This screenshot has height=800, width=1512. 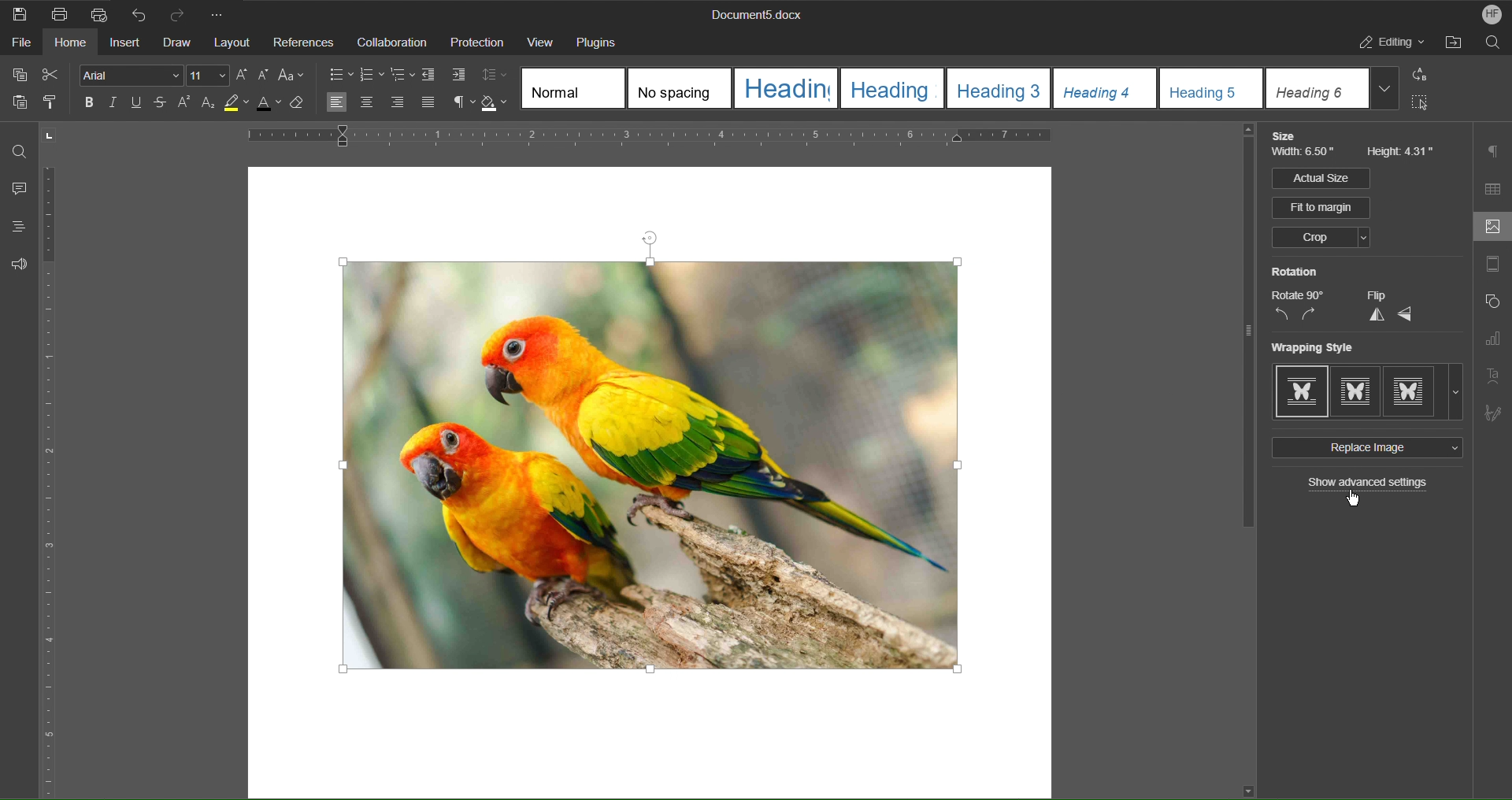 I want to click on Search, so click(x=1493, y=45).